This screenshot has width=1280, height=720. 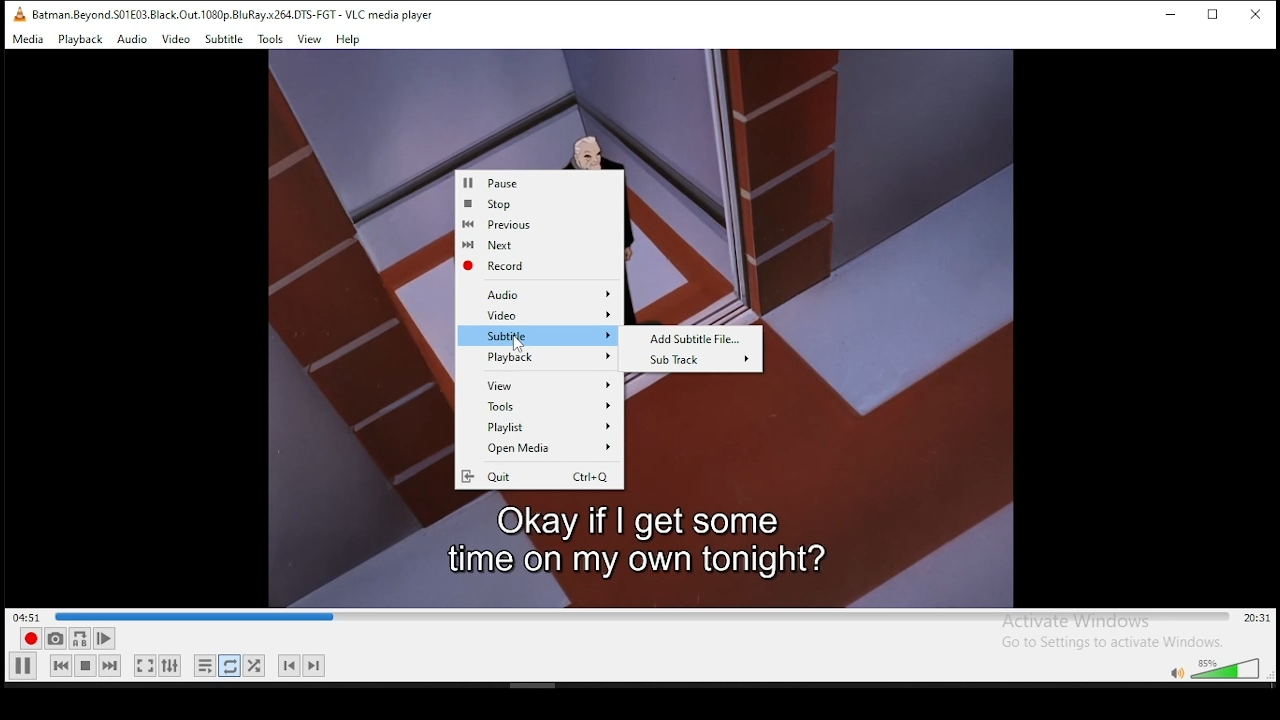 I want to click on Add Subtitle File..., so click(x=698, y=337).